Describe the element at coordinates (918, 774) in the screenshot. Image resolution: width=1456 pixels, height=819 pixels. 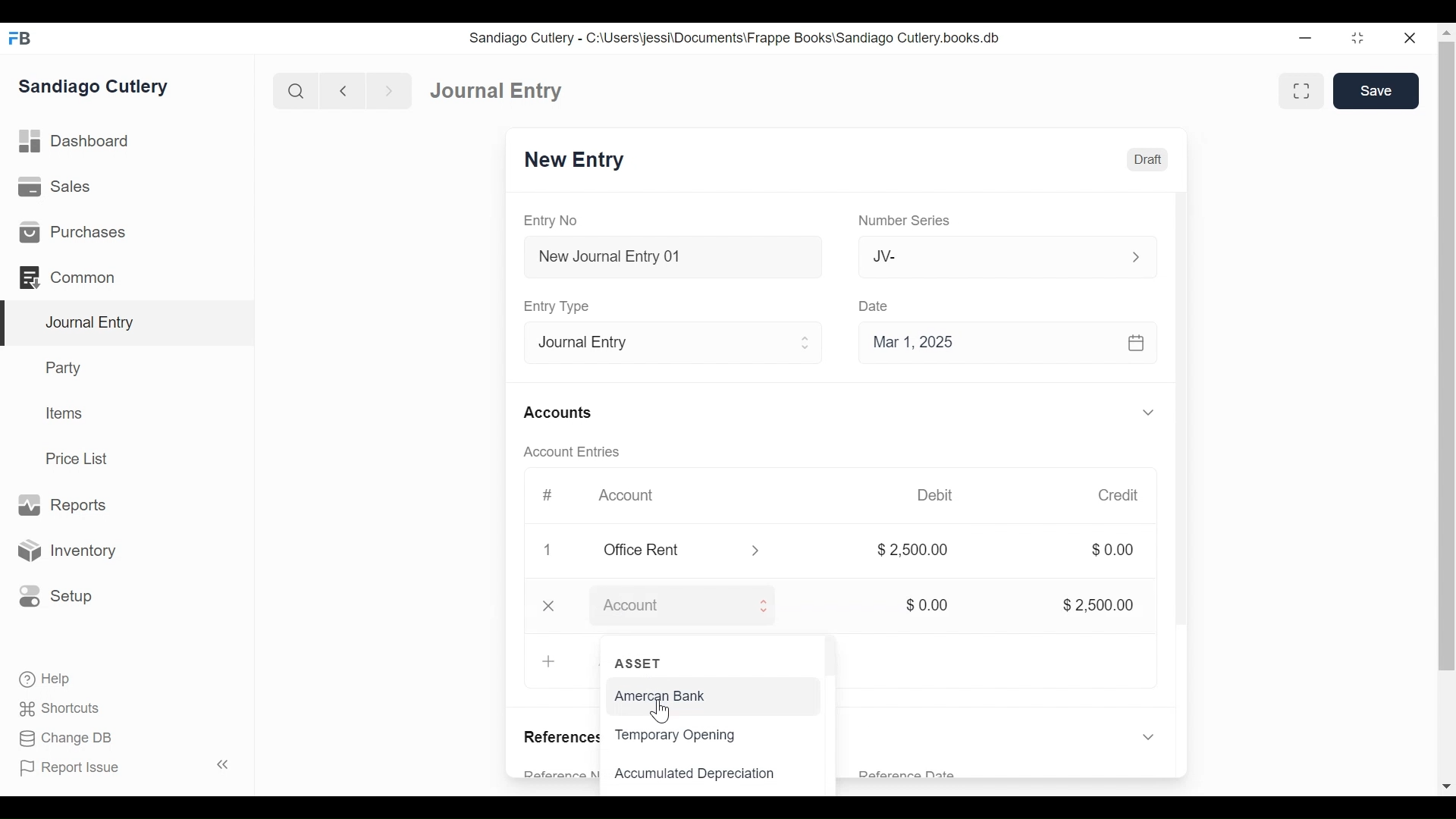
I see `Reference Date` at that location.